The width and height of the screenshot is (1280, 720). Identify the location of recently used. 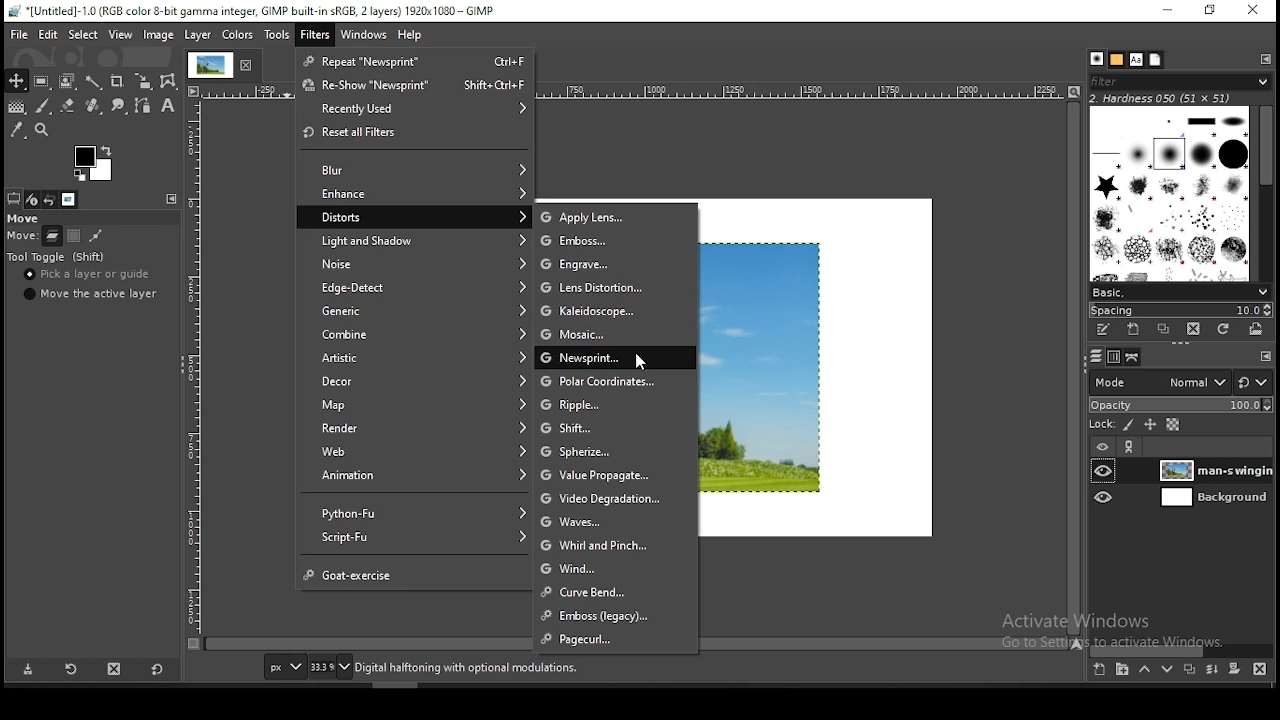
(414, 109).